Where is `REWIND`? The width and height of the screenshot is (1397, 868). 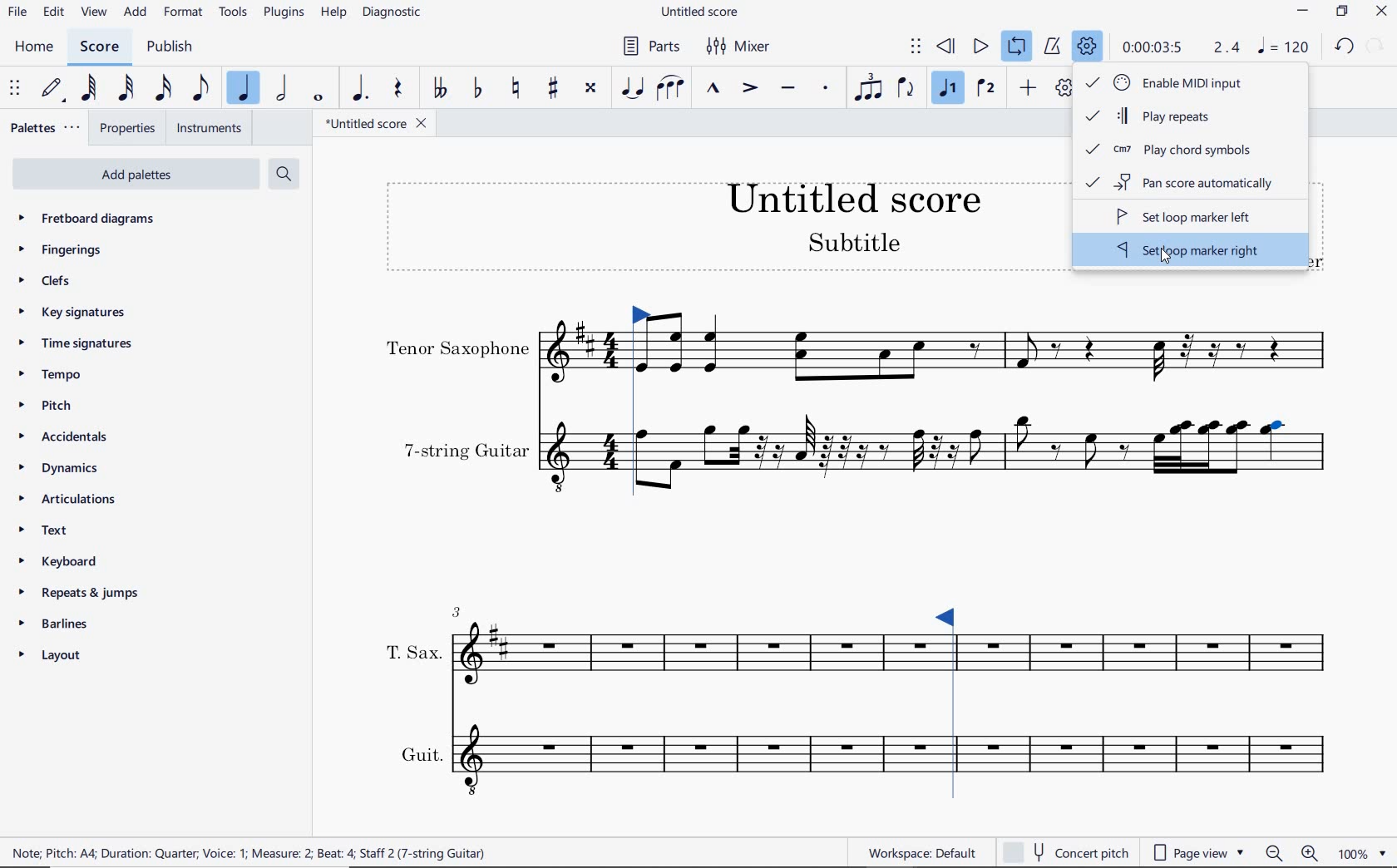 REWIND is located at coordinates (949, 45).